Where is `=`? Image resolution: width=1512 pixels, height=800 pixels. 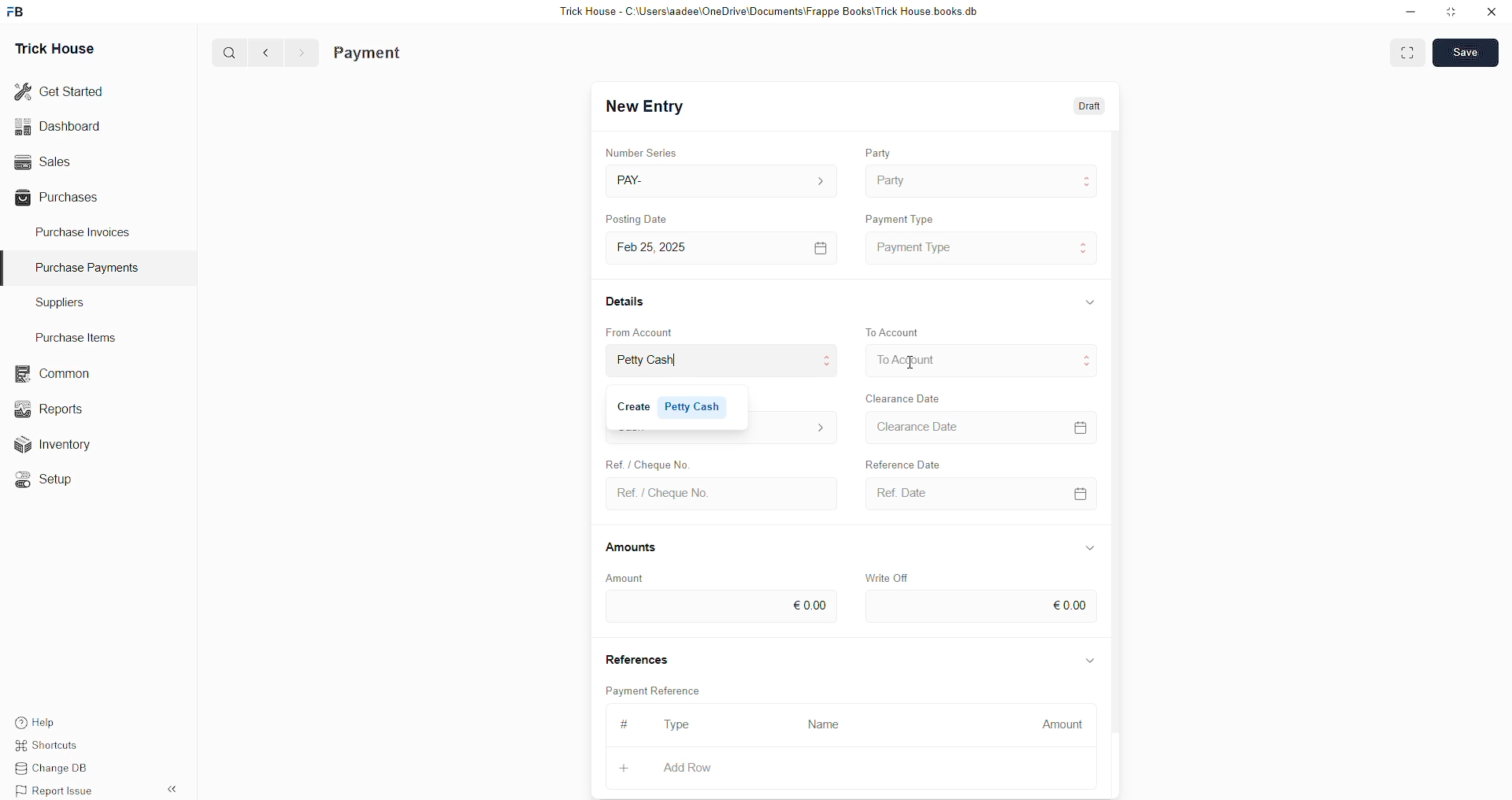 = is located at coordinates (1084, 425).